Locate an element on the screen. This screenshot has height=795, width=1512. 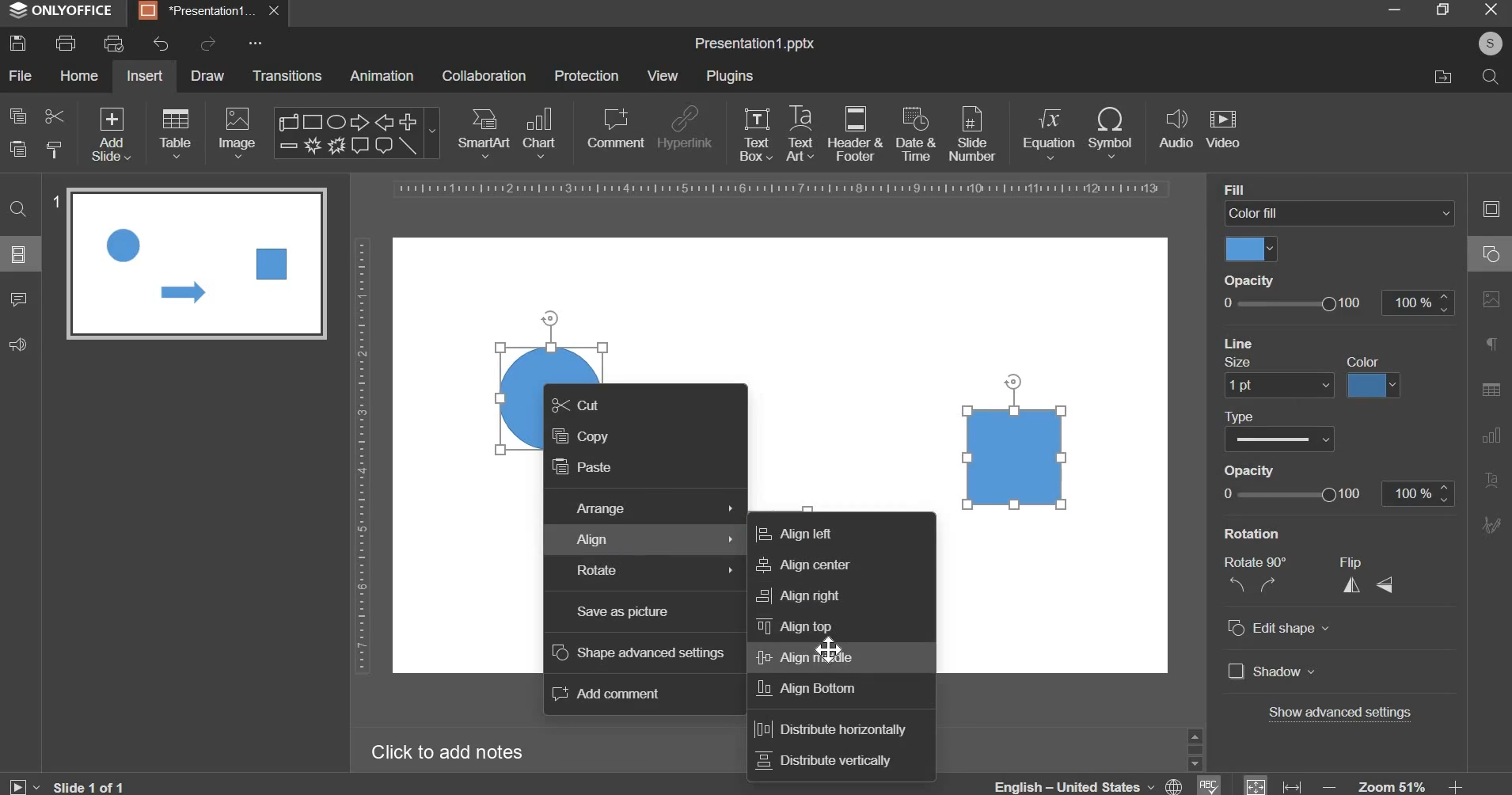
signature  is located at coordinates (1491, 524).